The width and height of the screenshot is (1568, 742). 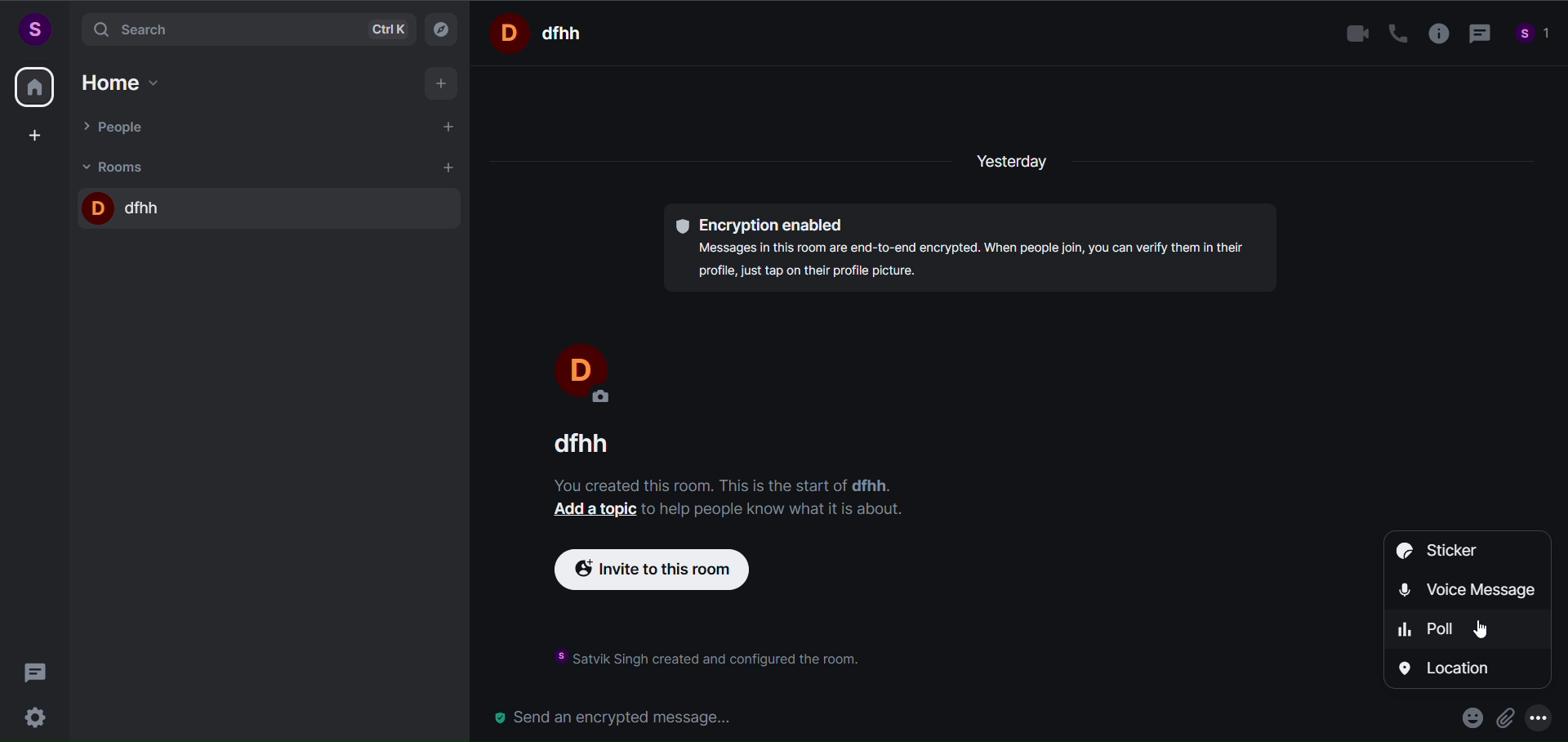 I want to click on explore room, so click(x=443, y=28).